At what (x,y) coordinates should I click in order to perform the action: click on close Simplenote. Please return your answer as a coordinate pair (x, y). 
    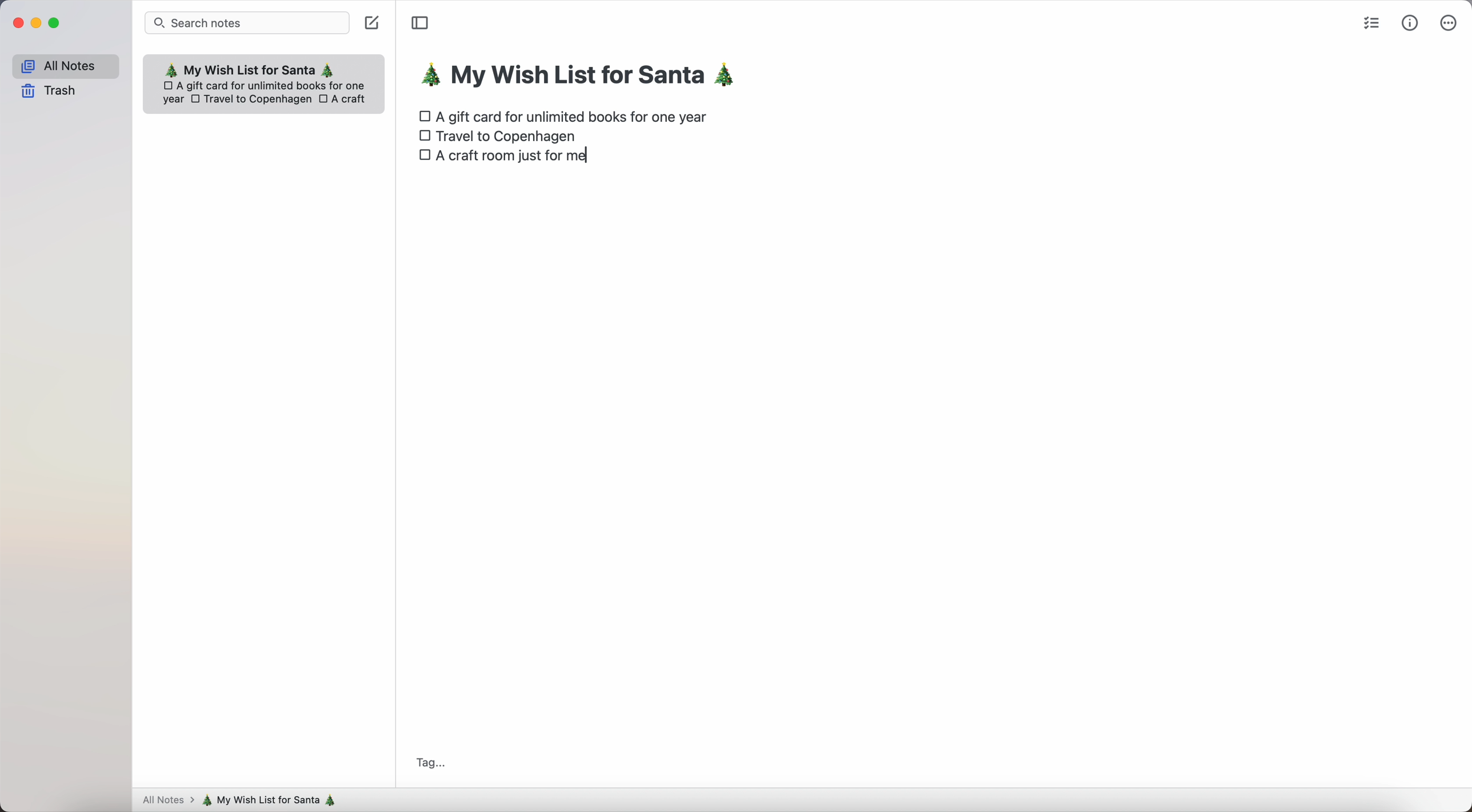
    Looking at the image, I should click on (16, 23).